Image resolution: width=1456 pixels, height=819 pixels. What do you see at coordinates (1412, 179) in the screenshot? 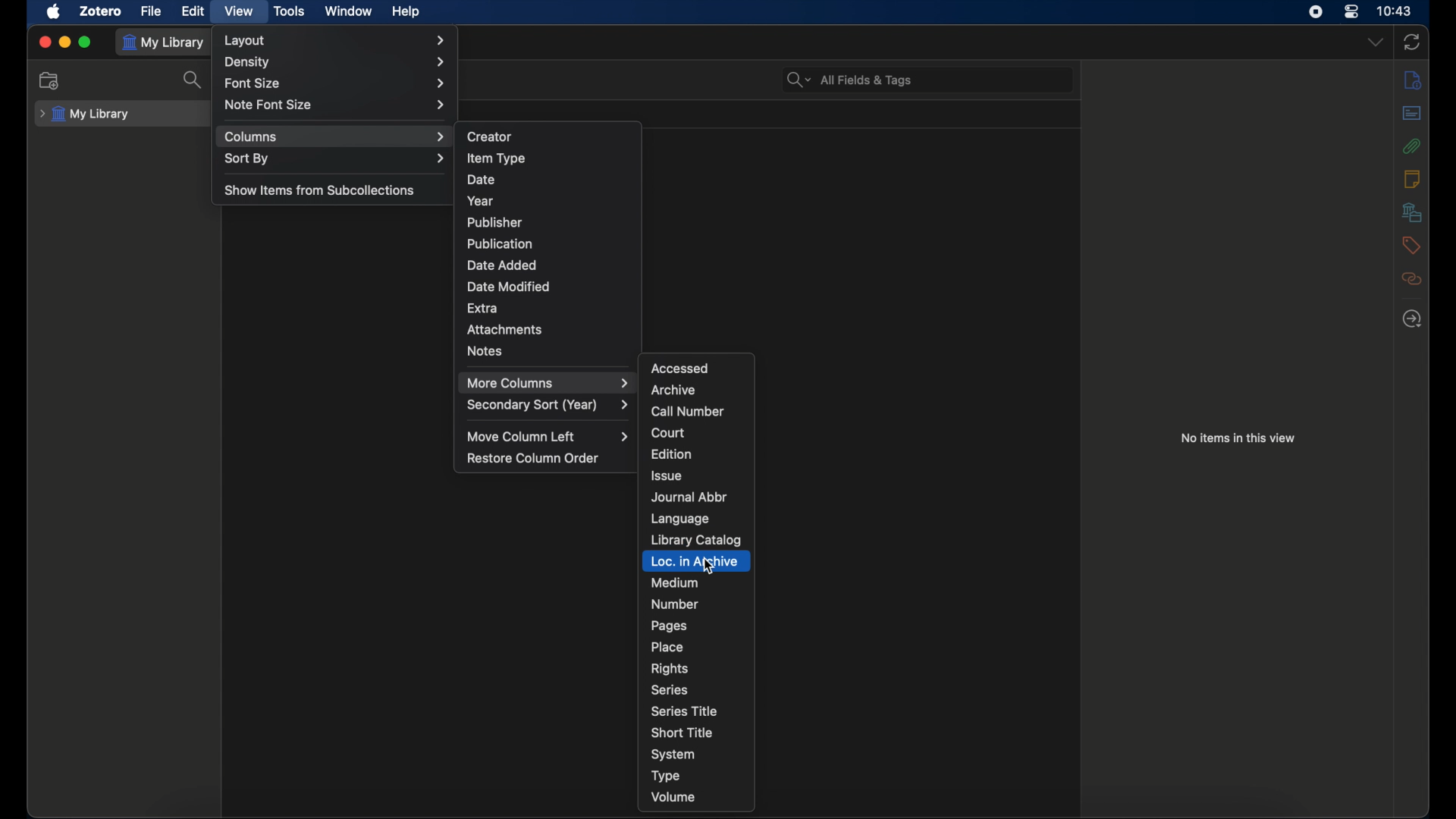
I see `notes` at bounding box center [1412, 179].